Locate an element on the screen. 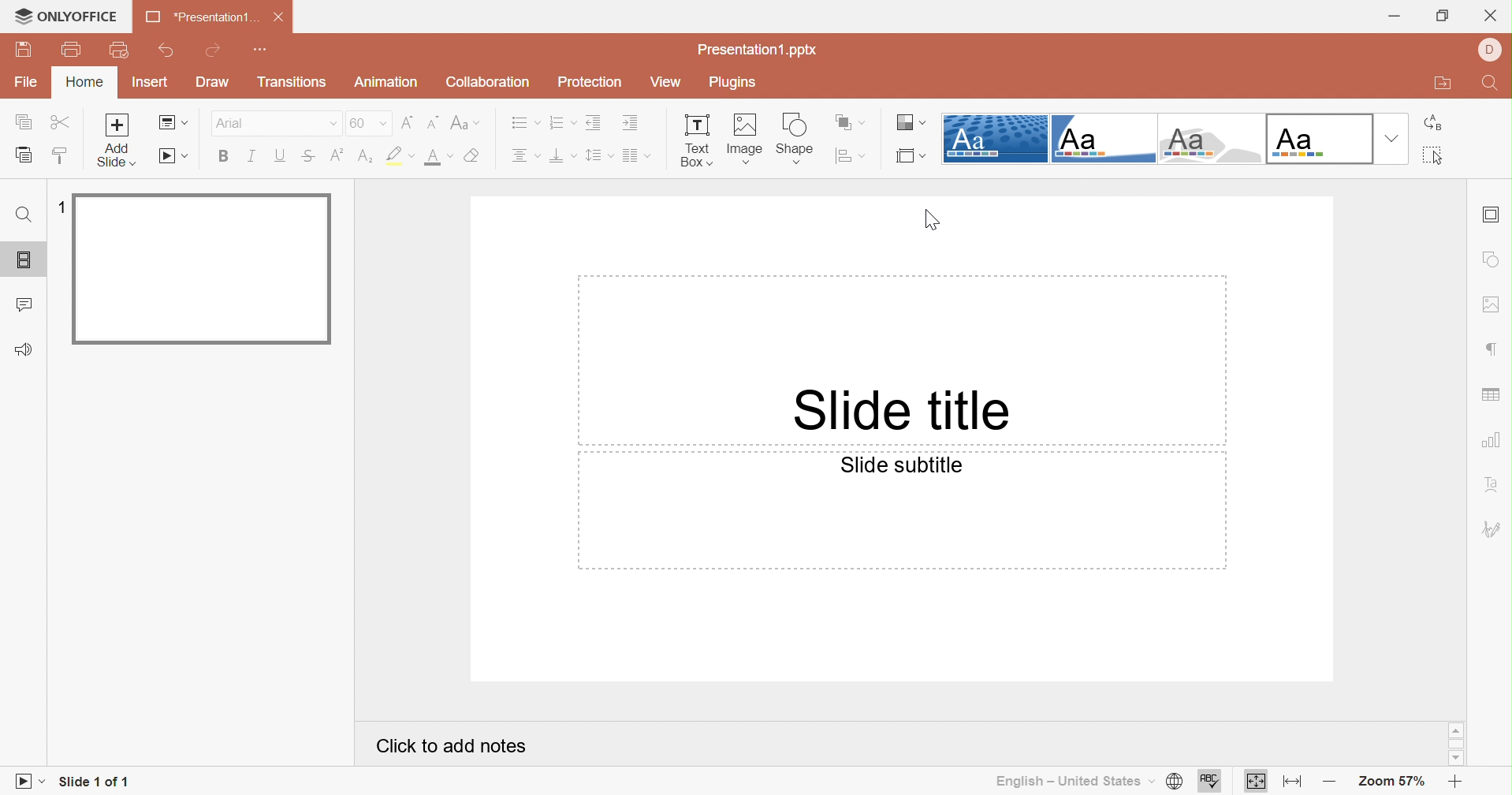 The height and width of the screenshot is (795, 1512). Superscript is located at coordinates (335, 155).